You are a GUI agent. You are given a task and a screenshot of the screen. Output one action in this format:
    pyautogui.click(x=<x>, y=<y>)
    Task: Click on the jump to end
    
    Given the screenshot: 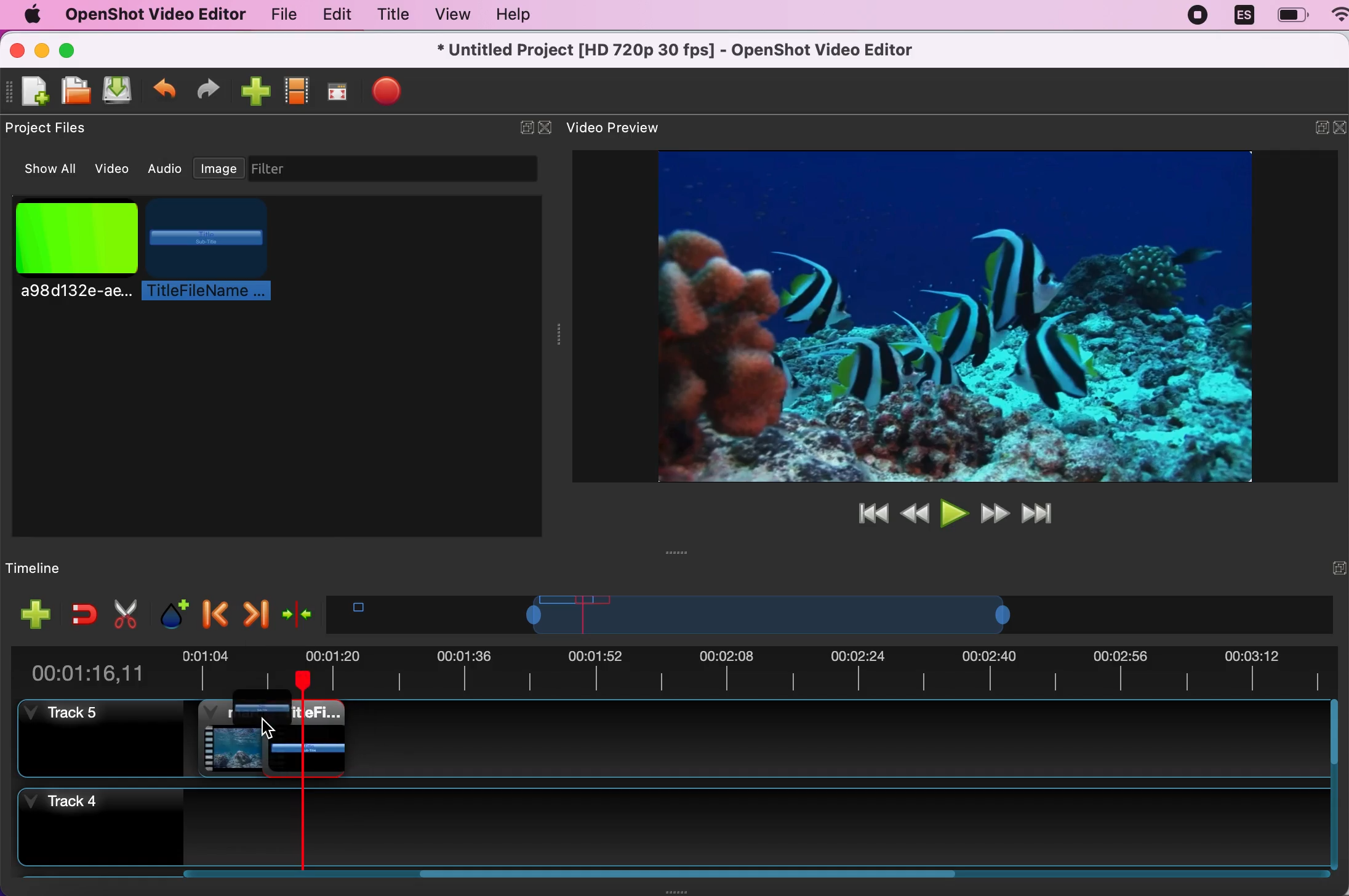 What is the action you would take?
    pyautogui.click(x=1046, y=514)
    